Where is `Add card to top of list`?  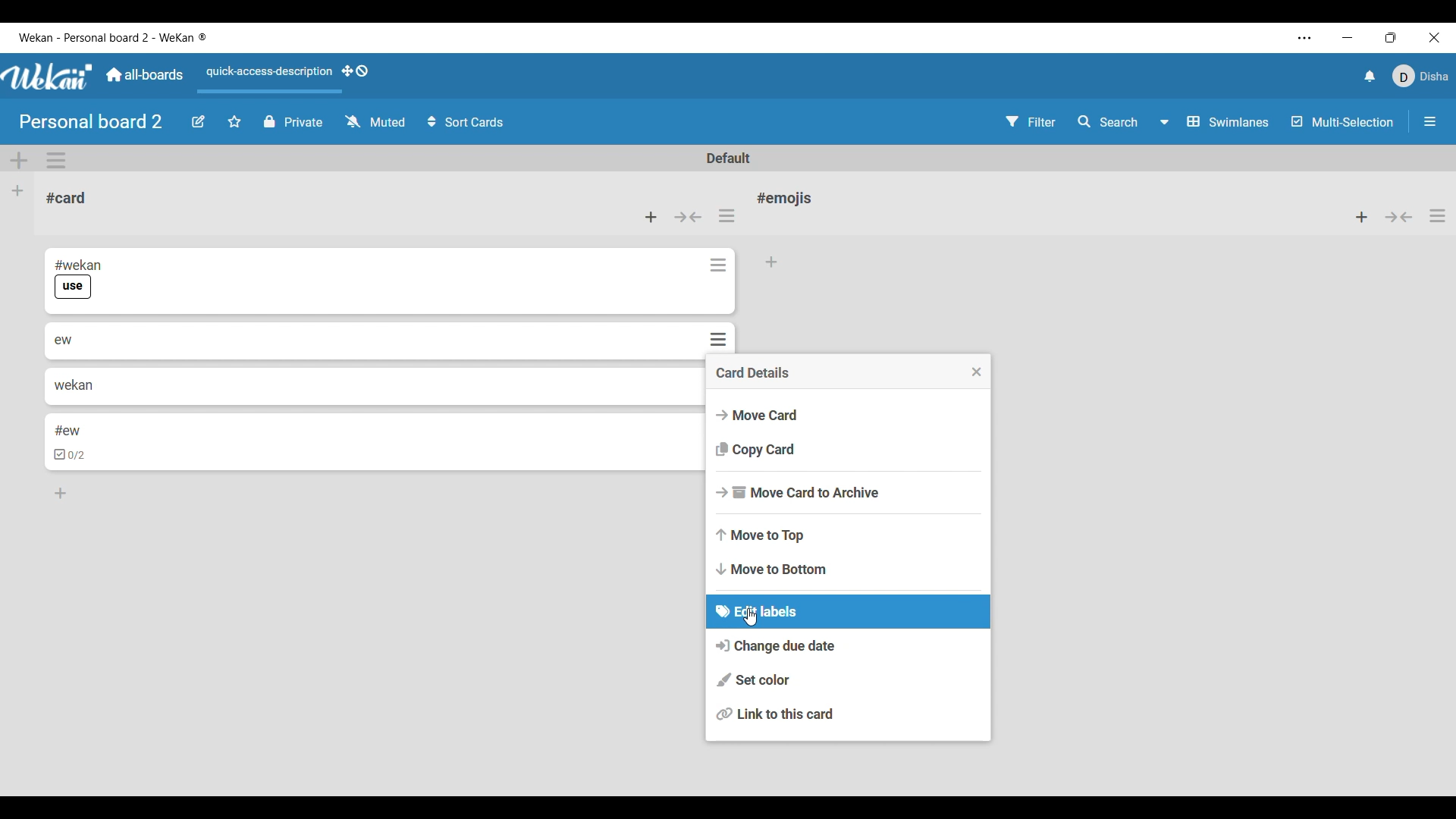 Add card to top of list is located at coordinates (1361, 217).